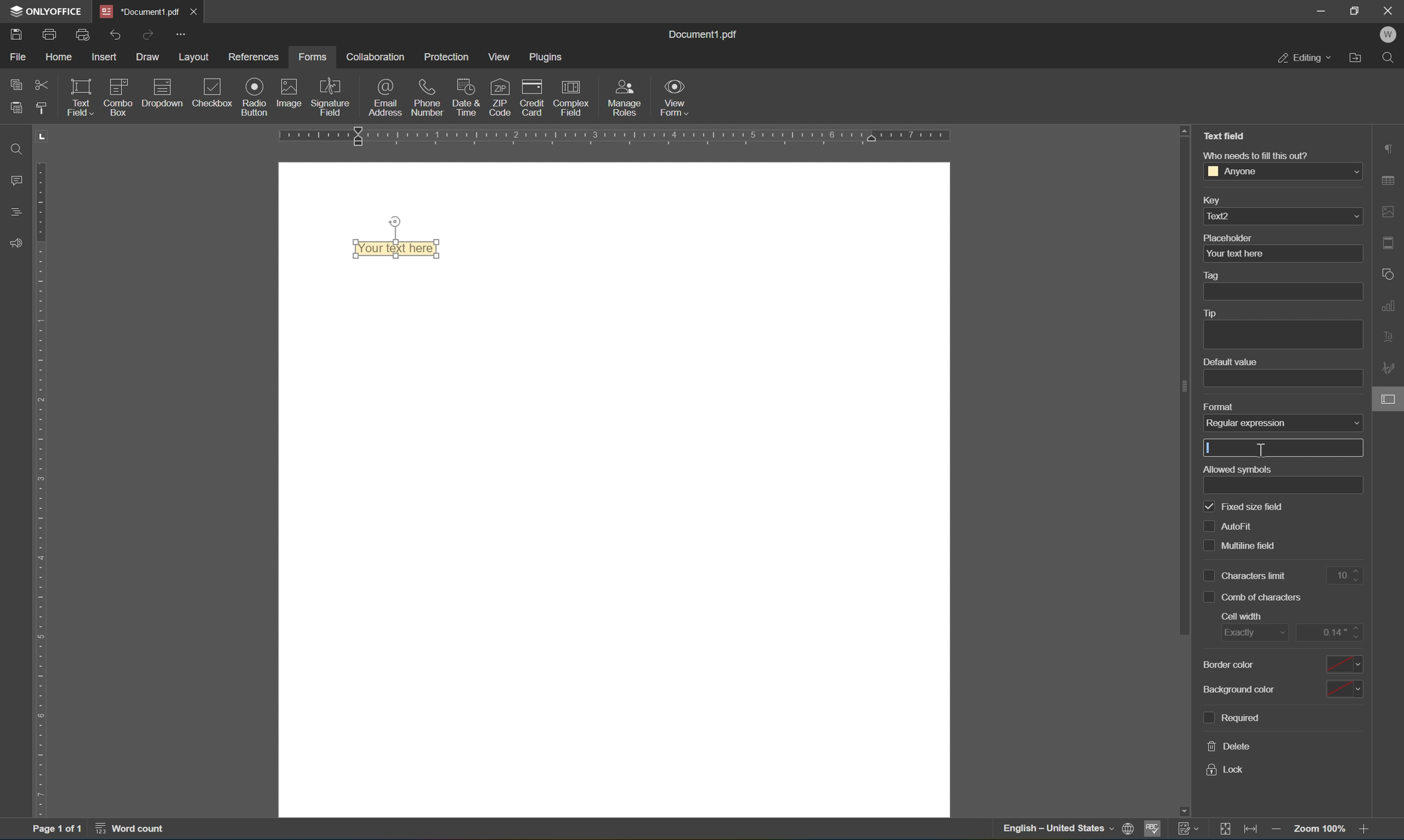 This screenshot has width=1404, height=840. I want to click on checkbox, so click(214, 92).